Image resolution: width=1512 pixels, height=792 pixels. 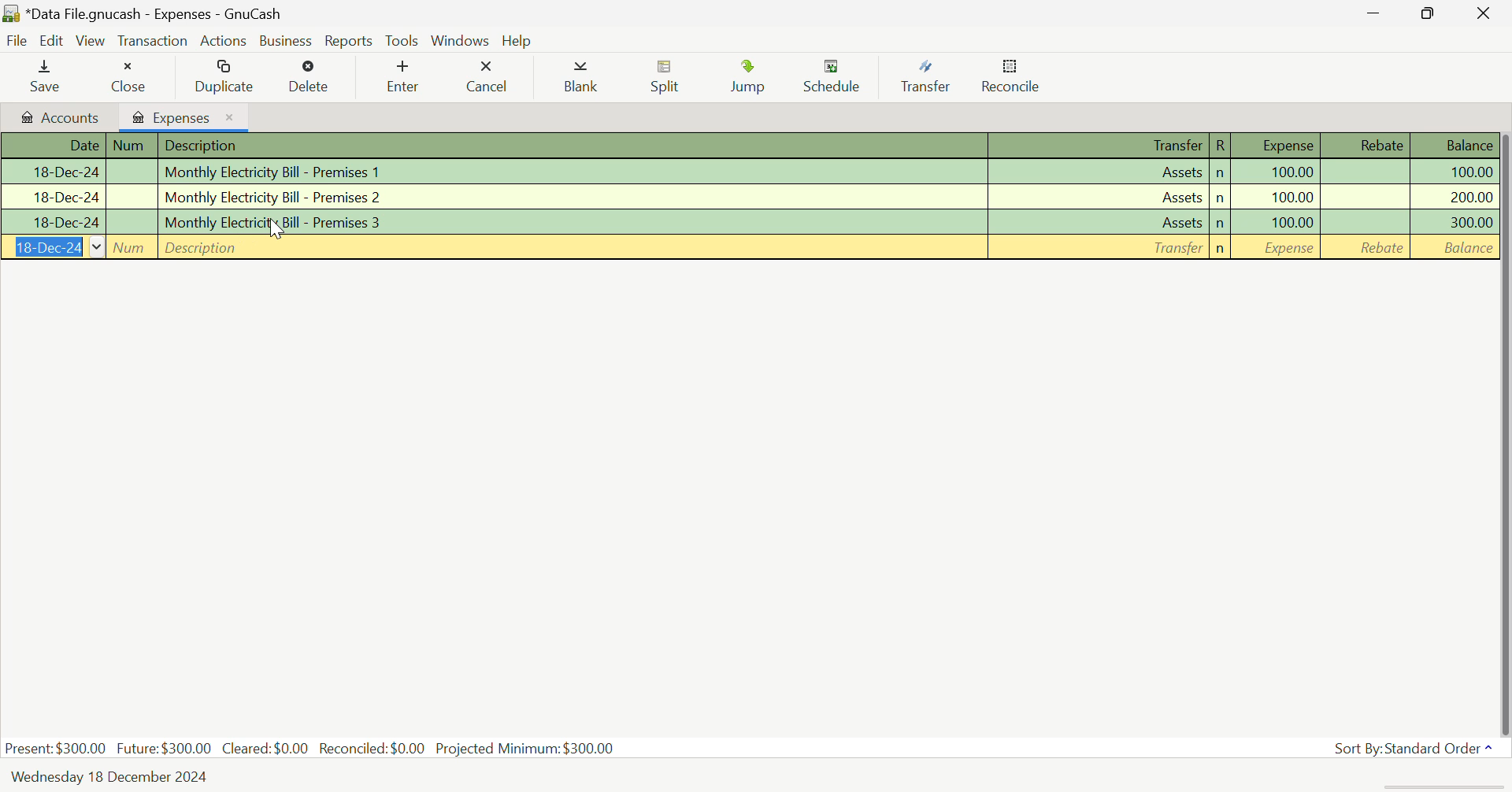 I want to click on Monthly Electricity Bill - Premises 1, so click(x=747, y=173).